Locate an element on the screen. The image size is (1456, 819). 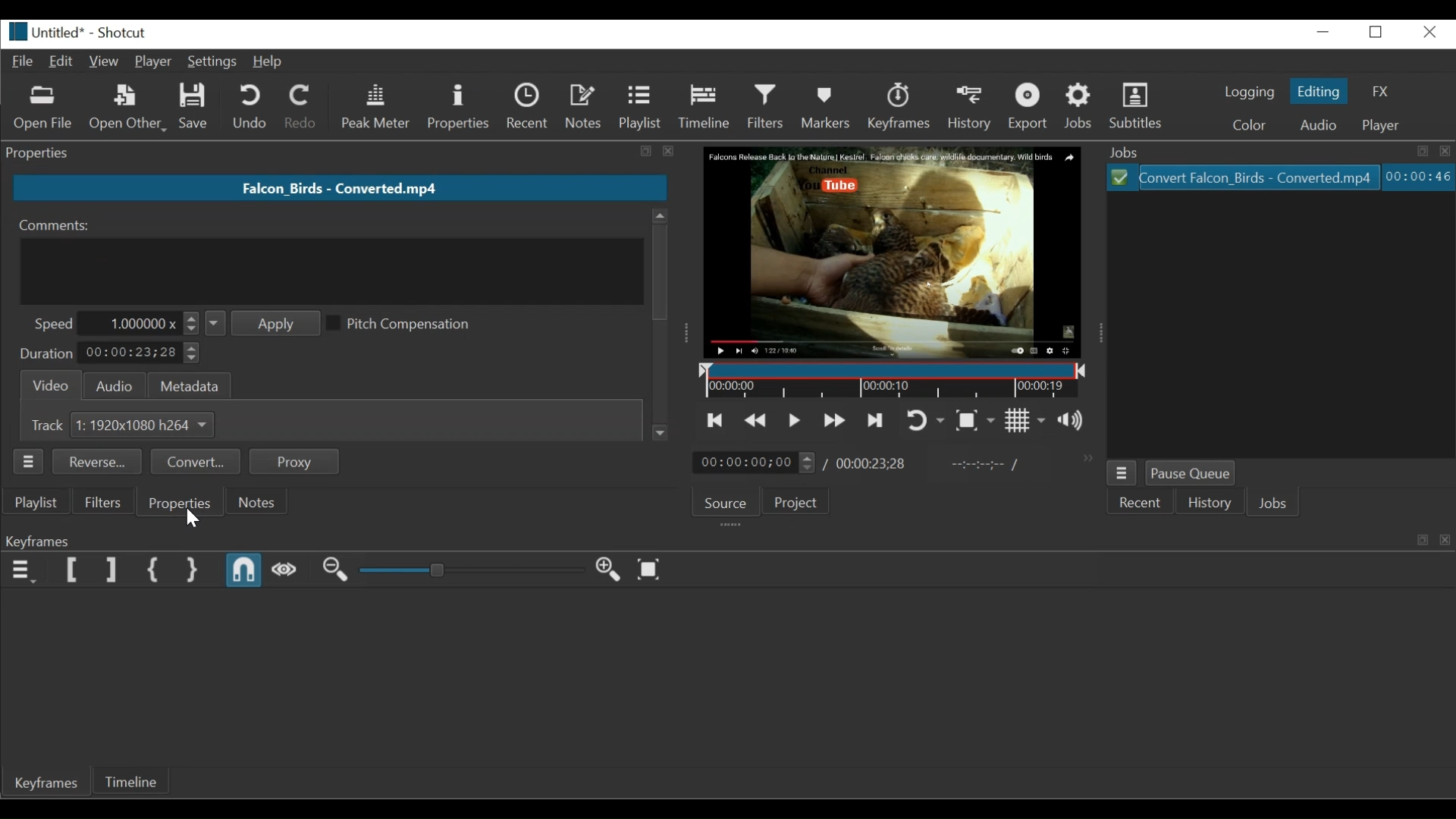
Shotcut is located at coordinates (121, 34).